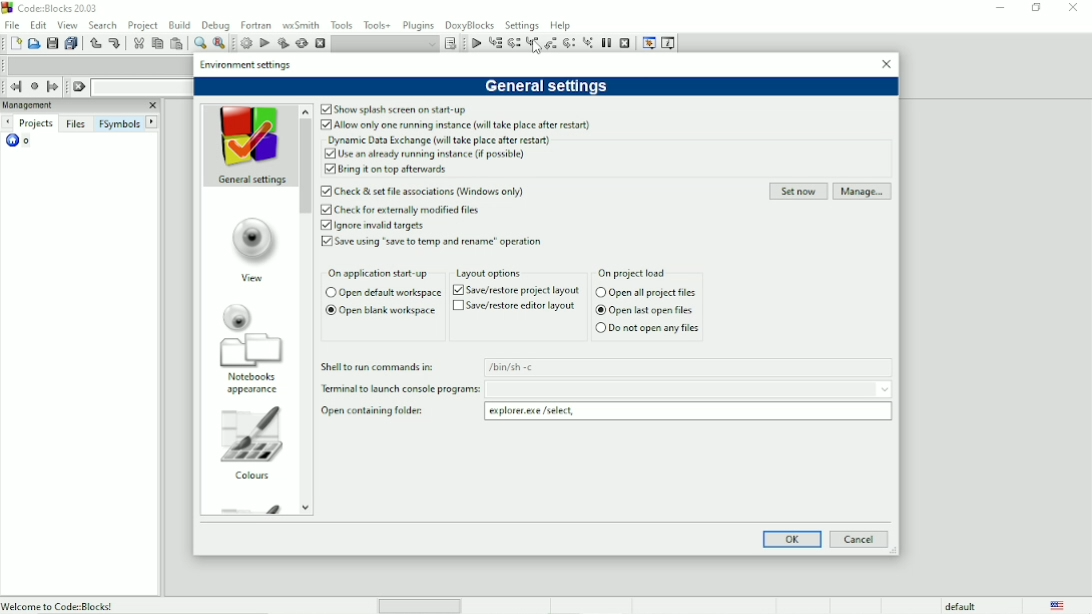 Image resolution: width=1092 pixels, height=614 pixels. Describe the element at coordinates (139, 87) in the screenshot. I see `Drop down` at that location.